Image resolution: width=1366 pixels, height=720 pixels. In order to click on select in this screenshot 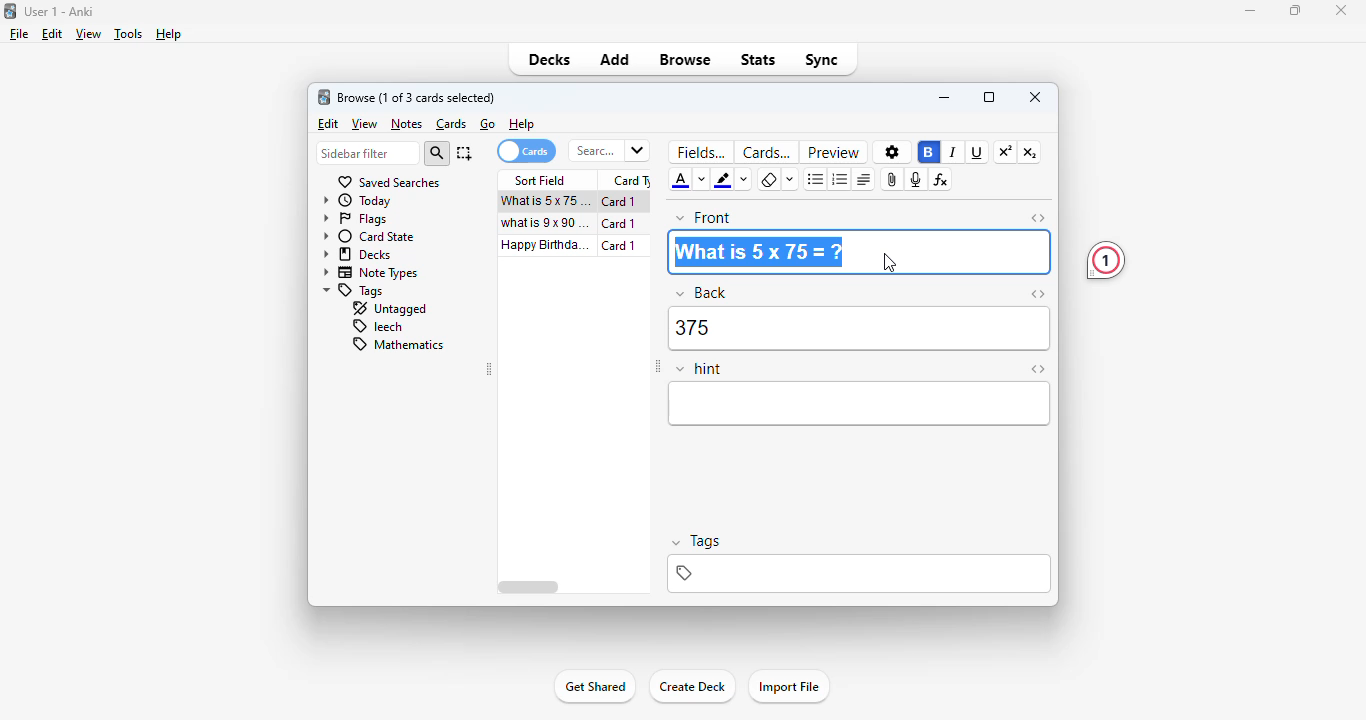, I will do `click(464, 153)`.